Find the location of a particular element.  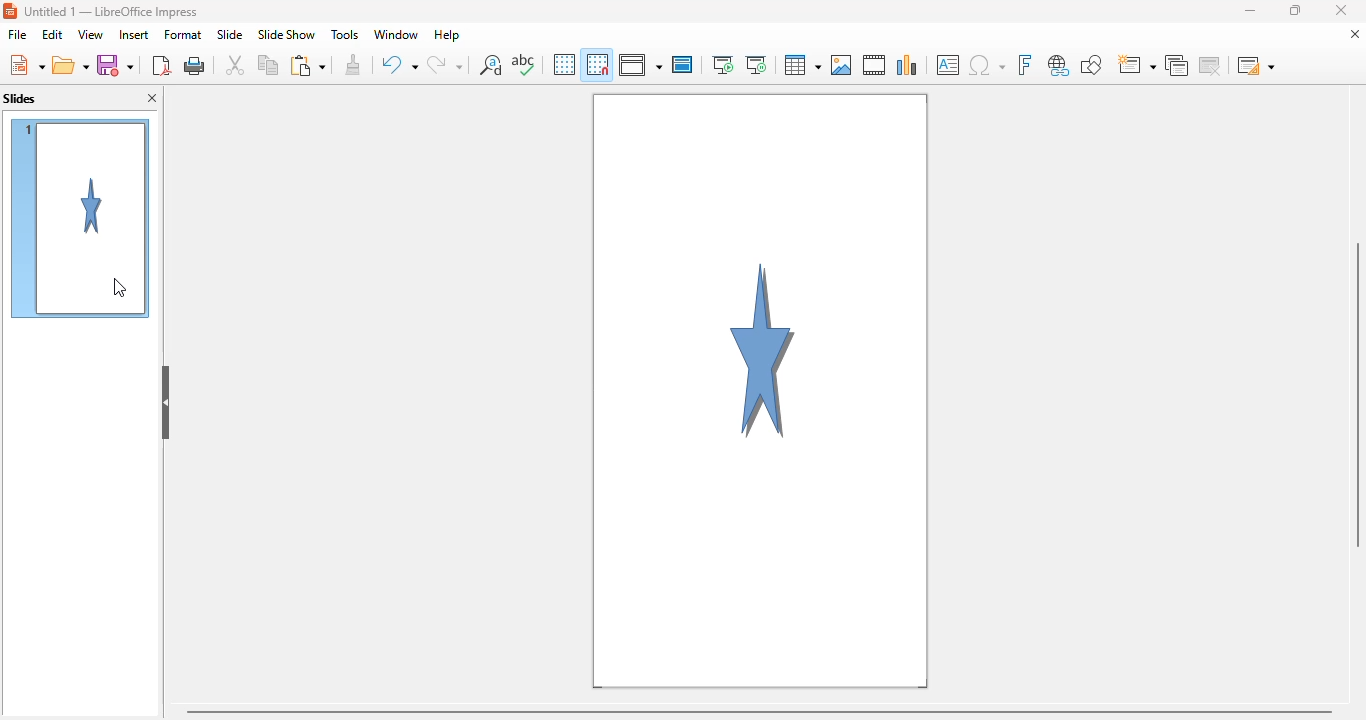

display views is located at coordinates (640, 64).